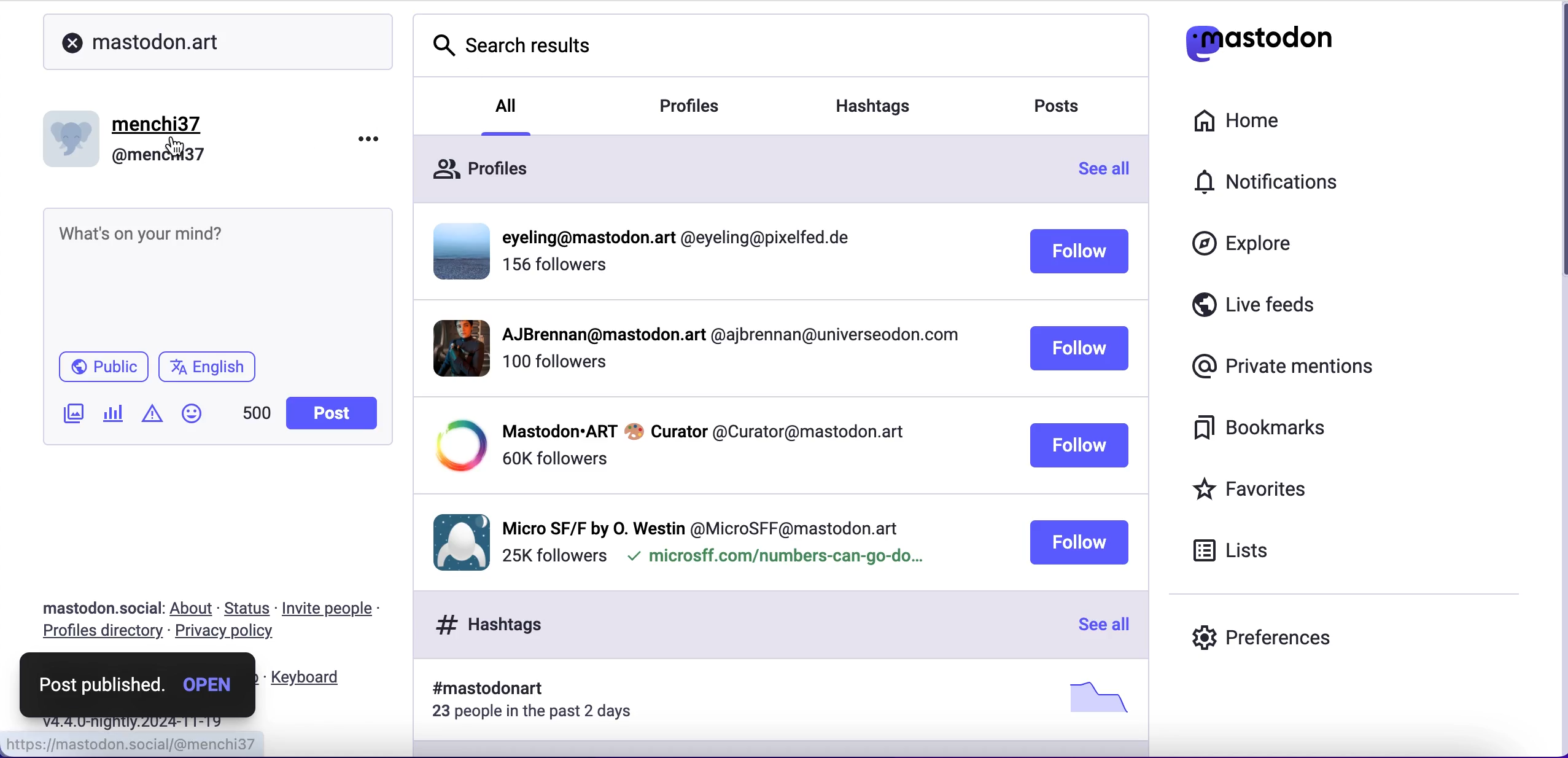  I want to click on keyboard, so click(309, 678).